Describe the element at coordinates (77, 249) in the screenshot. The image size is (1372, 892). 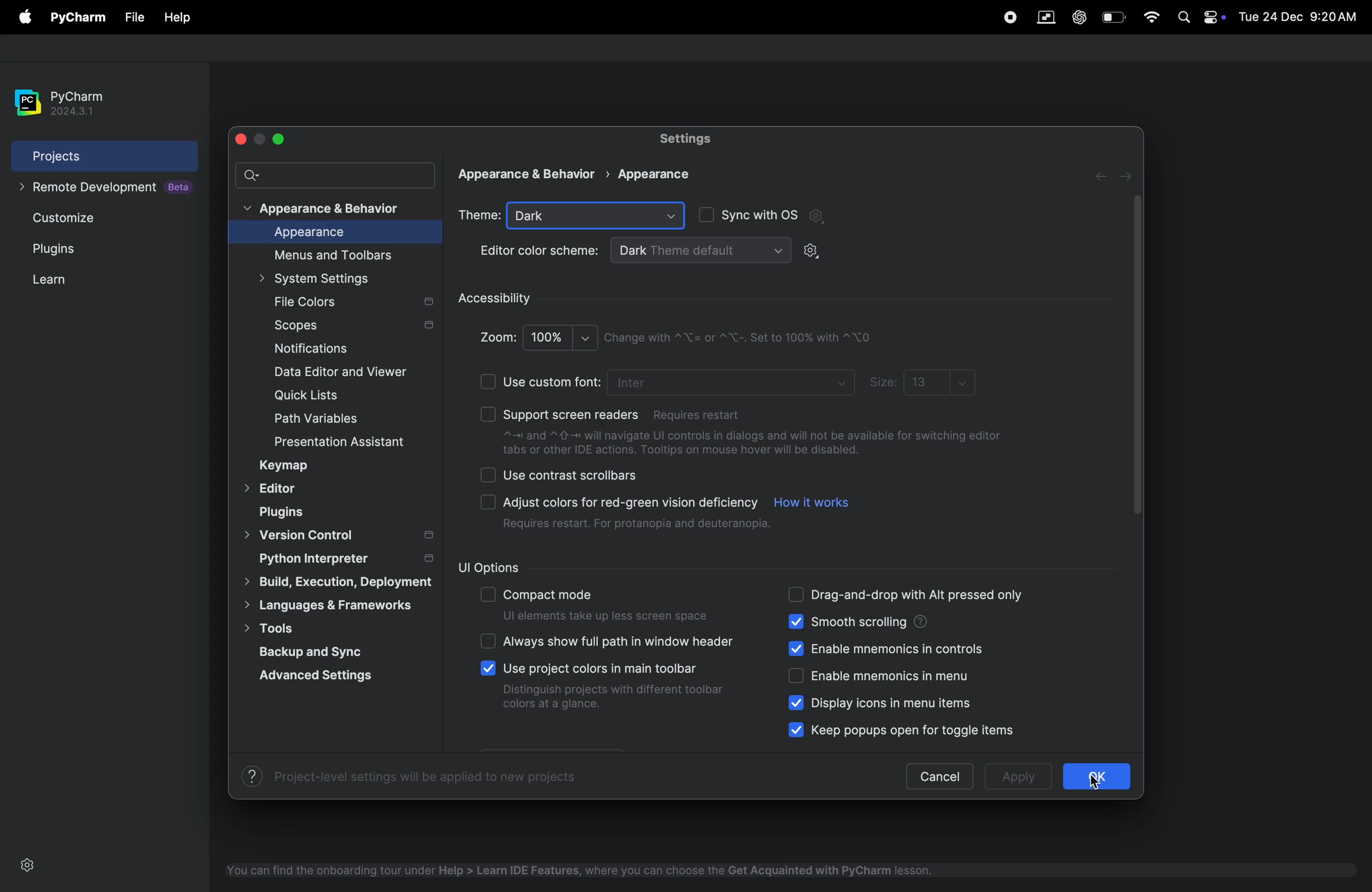
I see `plugins` at that location.